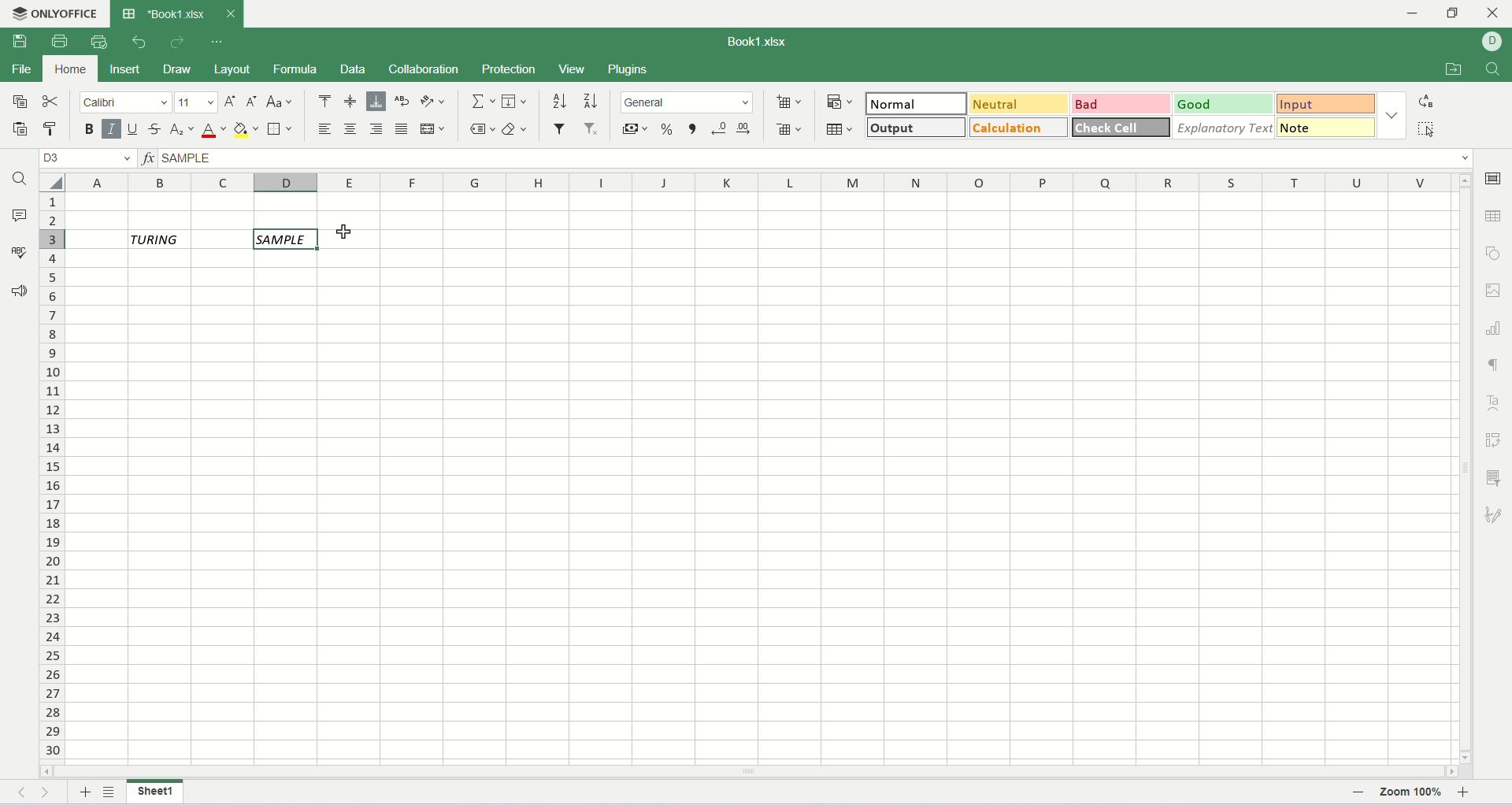  Describe the element at coordinates (588, 103) in the screenshot. I see `sort descending` at that location.